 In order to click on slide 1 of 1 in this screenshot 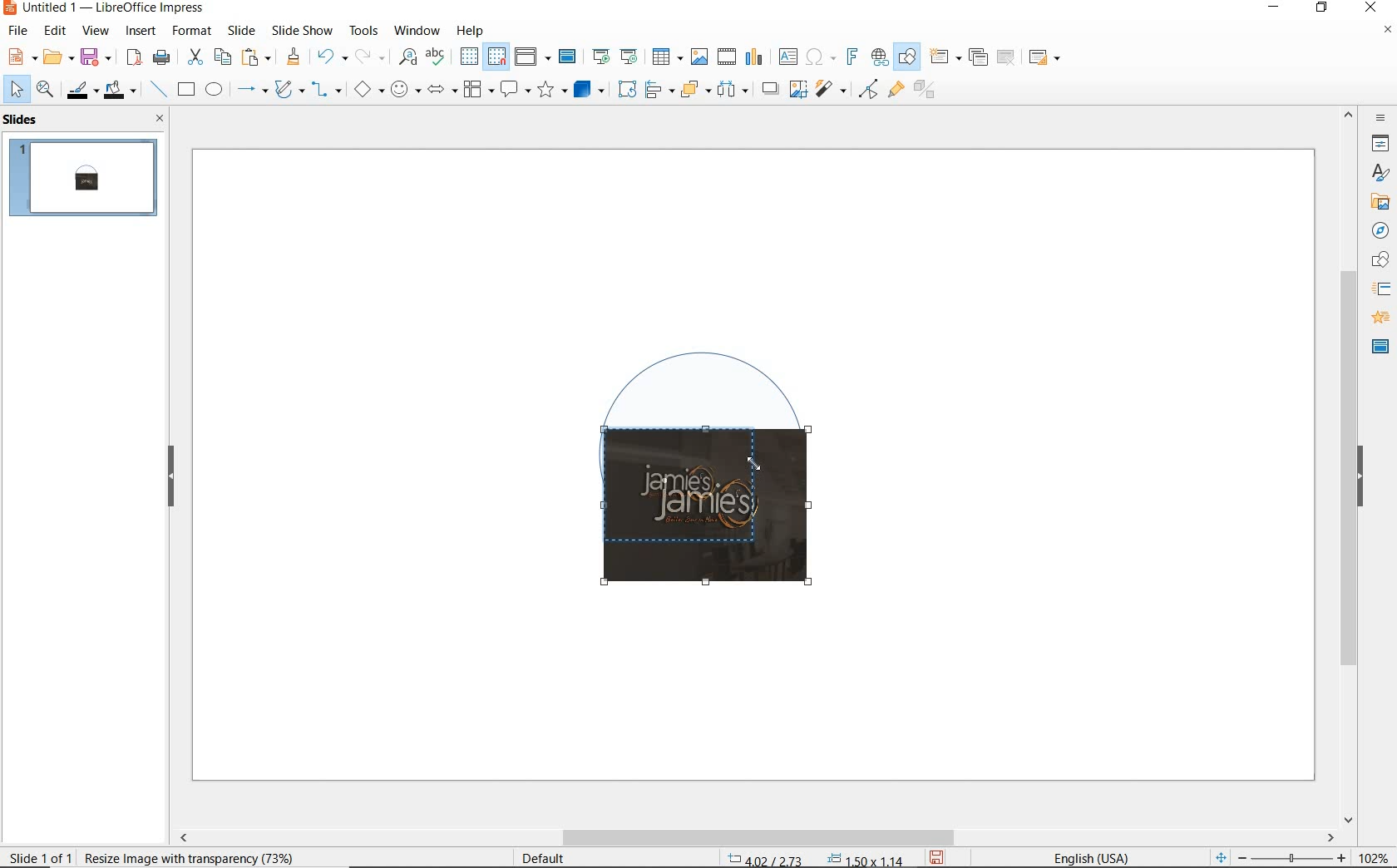, I will do `click(42, 854)`.